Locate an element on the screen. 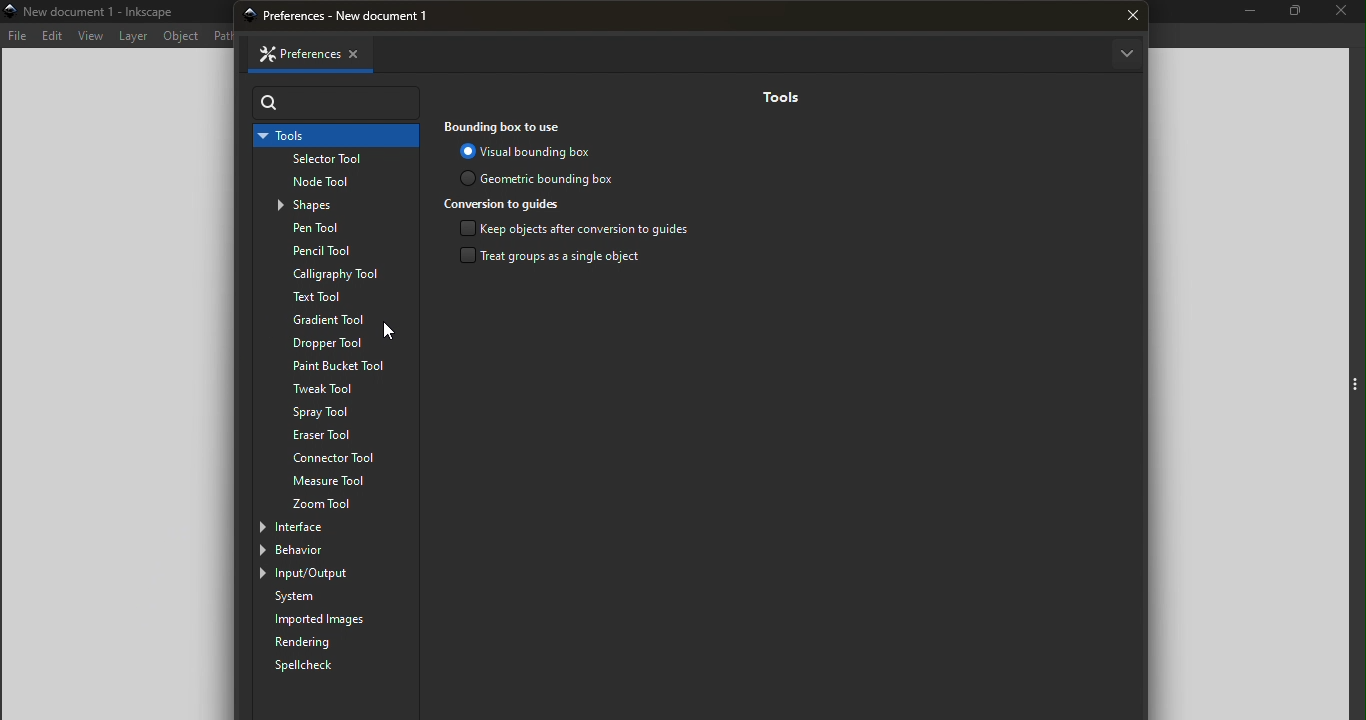 The image size is (1366, 720). Zoom tool is located at coordinates (337, 504).